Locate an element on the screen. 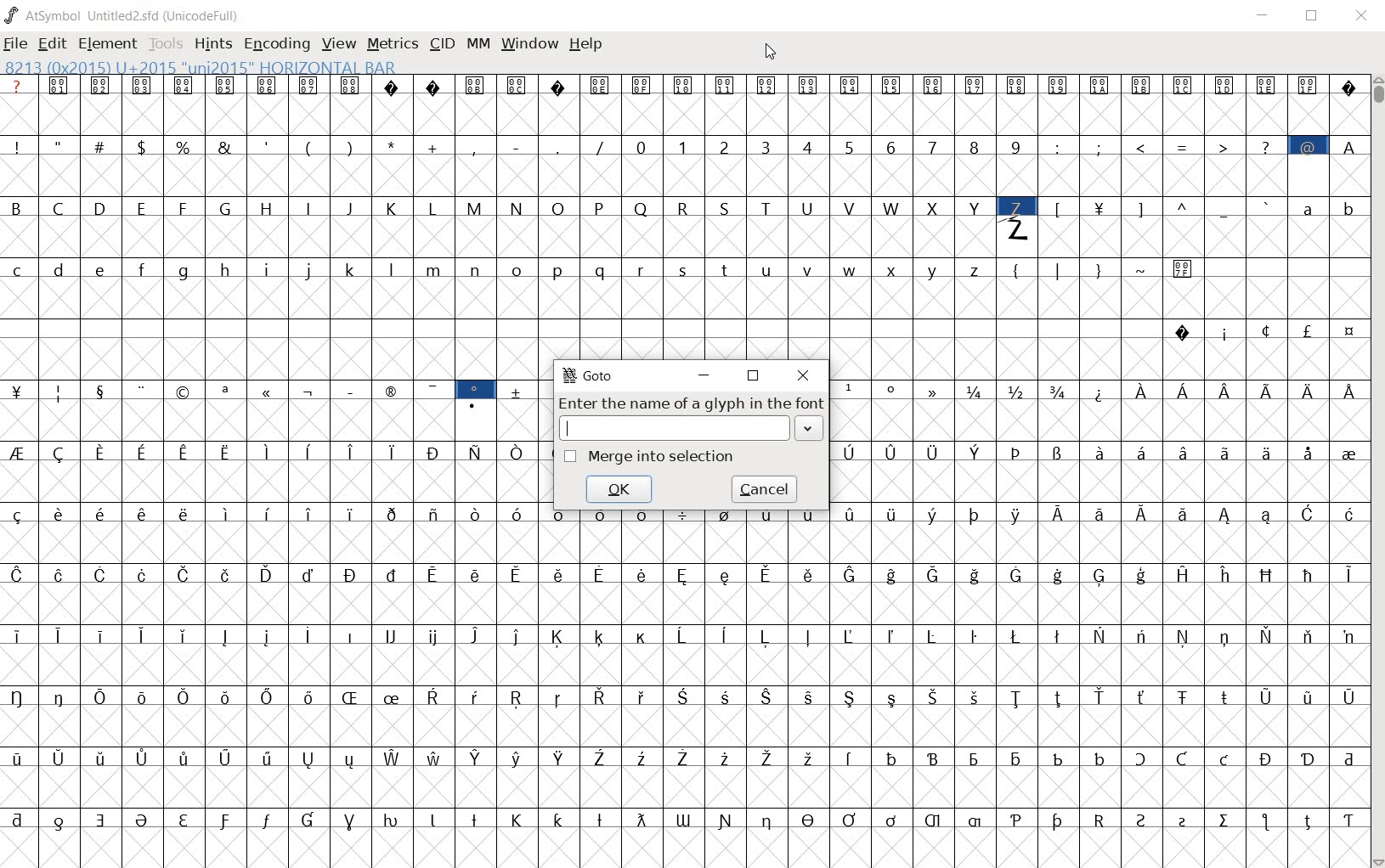  ELEMENT is located at coordinates (109, 43).